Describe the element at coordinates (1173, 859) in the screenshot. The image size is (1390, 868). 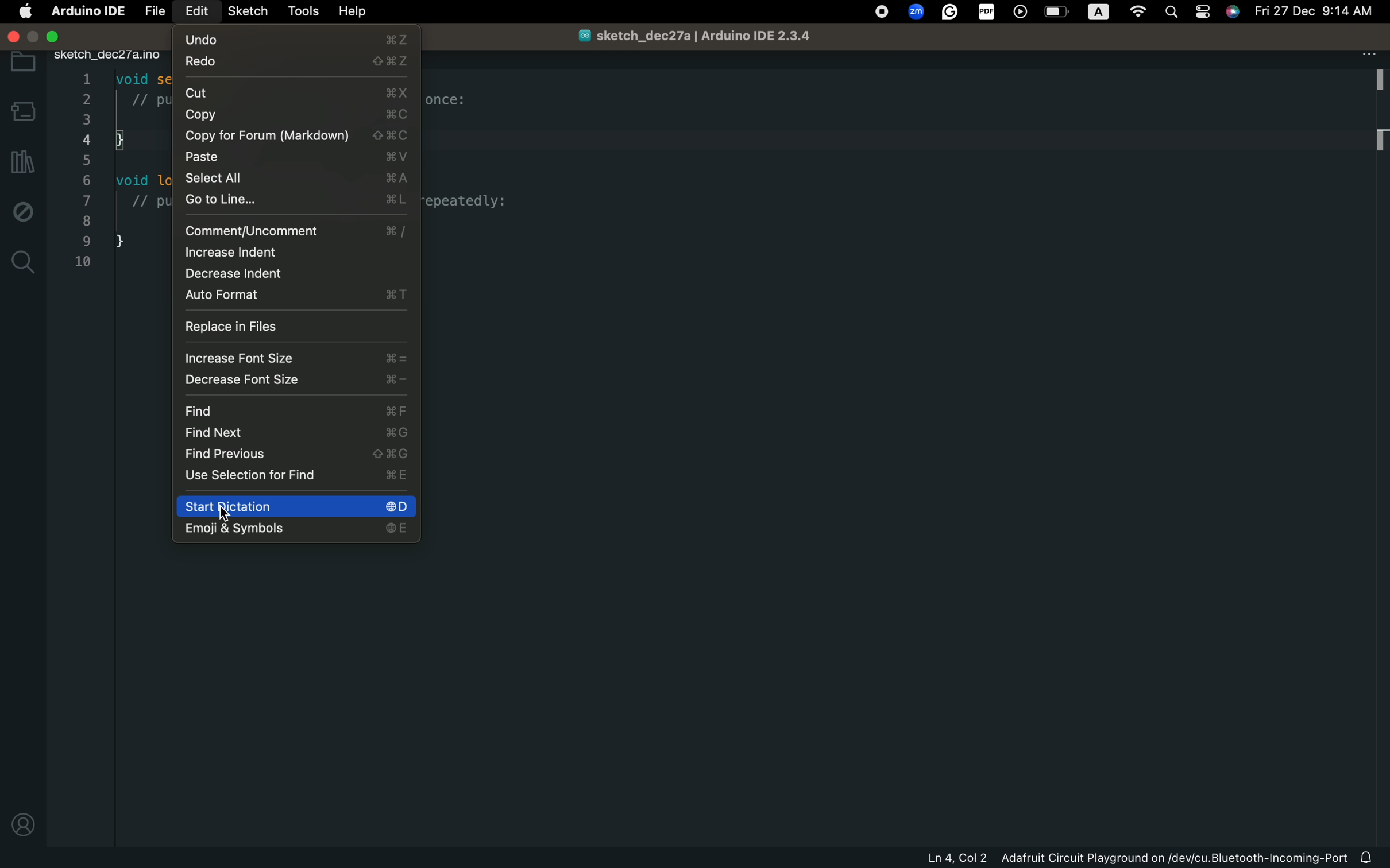
I see `Adafruit Circuit Playground on/dev/cu.Bluetooth-Incoming-Port` at that location.